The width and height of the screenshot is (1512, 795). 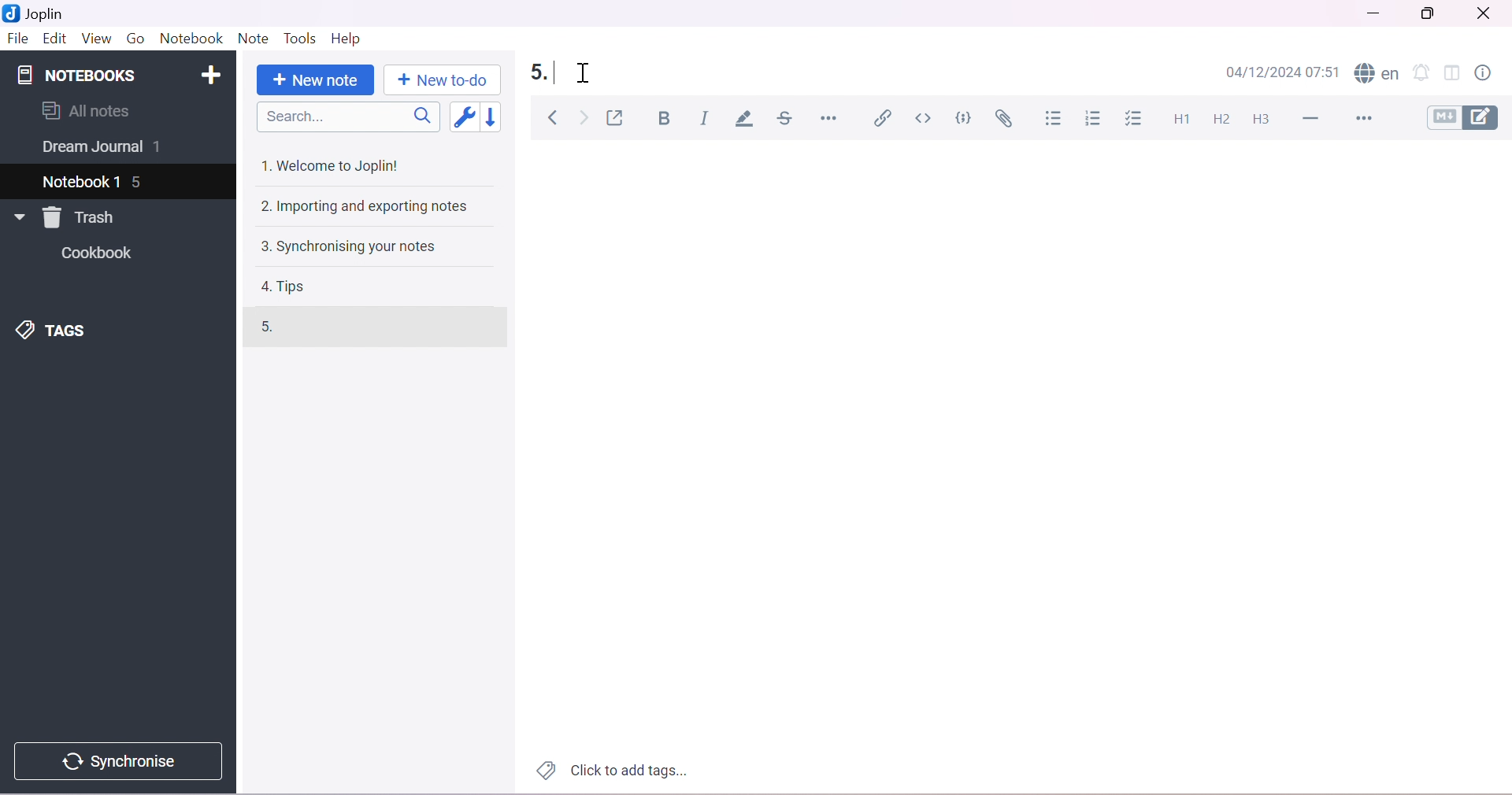 What do you see at coordinates (1424, 73) in the screenshot?
I see `Set alarm` at bounding box center [1424, 73].